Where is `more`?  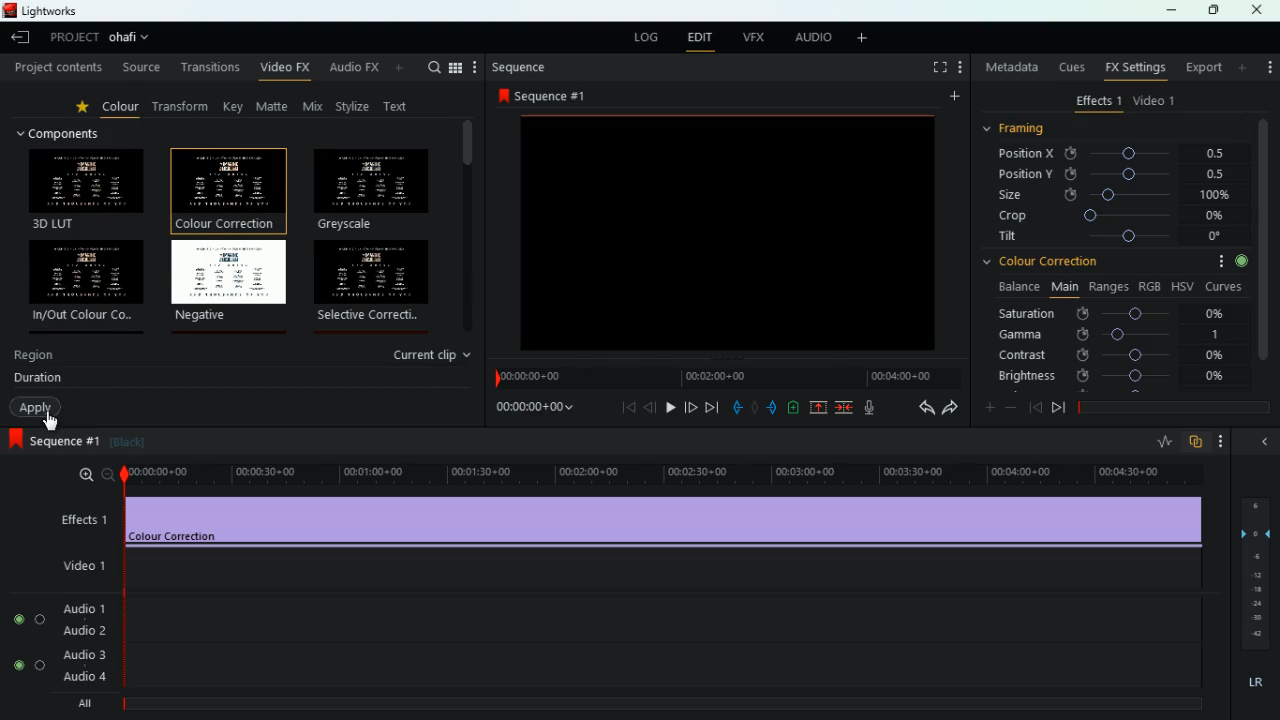
more is located at coordinates (1220, 440).